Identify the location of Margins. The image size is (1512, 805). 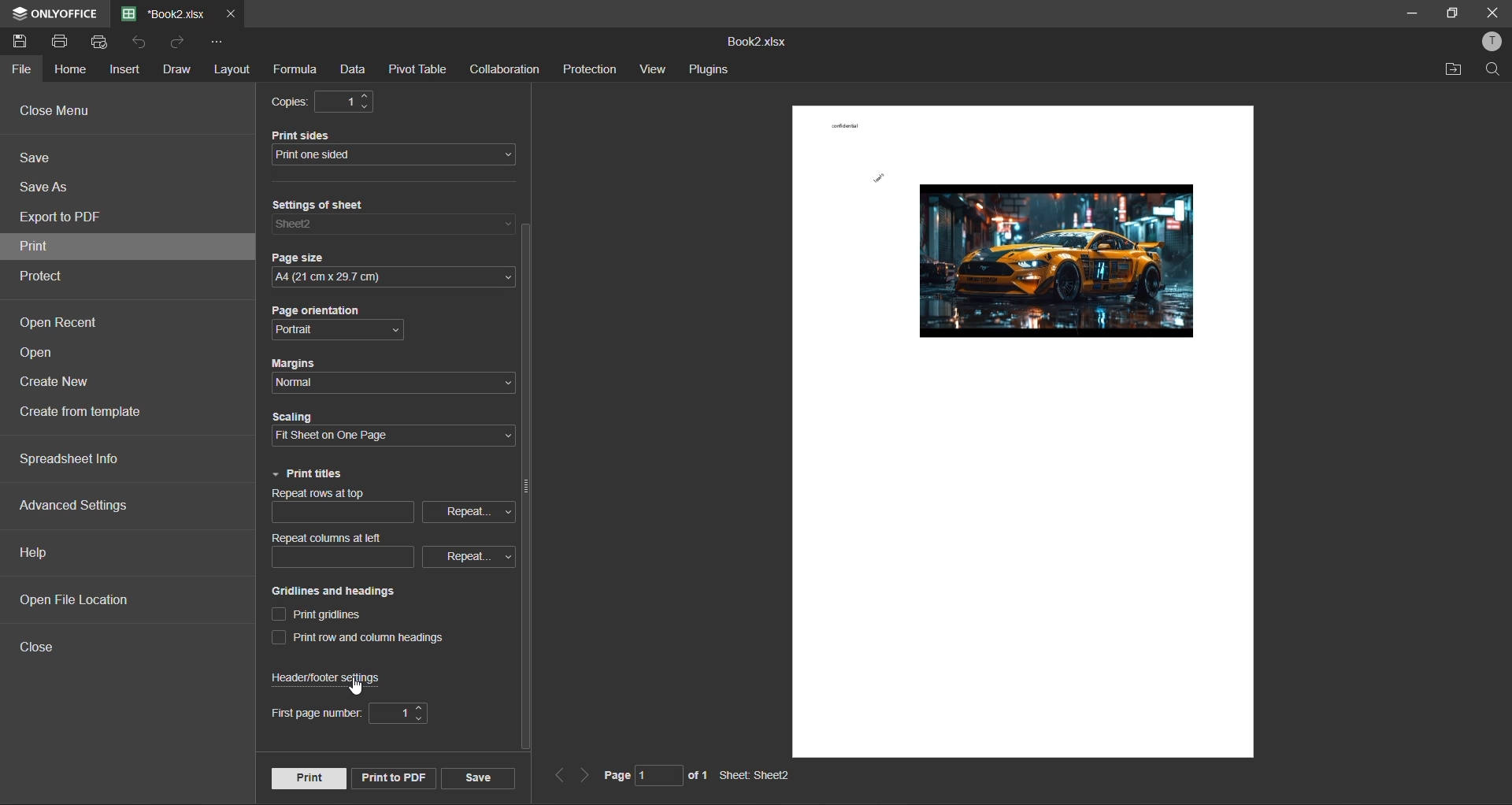
(301, 362).